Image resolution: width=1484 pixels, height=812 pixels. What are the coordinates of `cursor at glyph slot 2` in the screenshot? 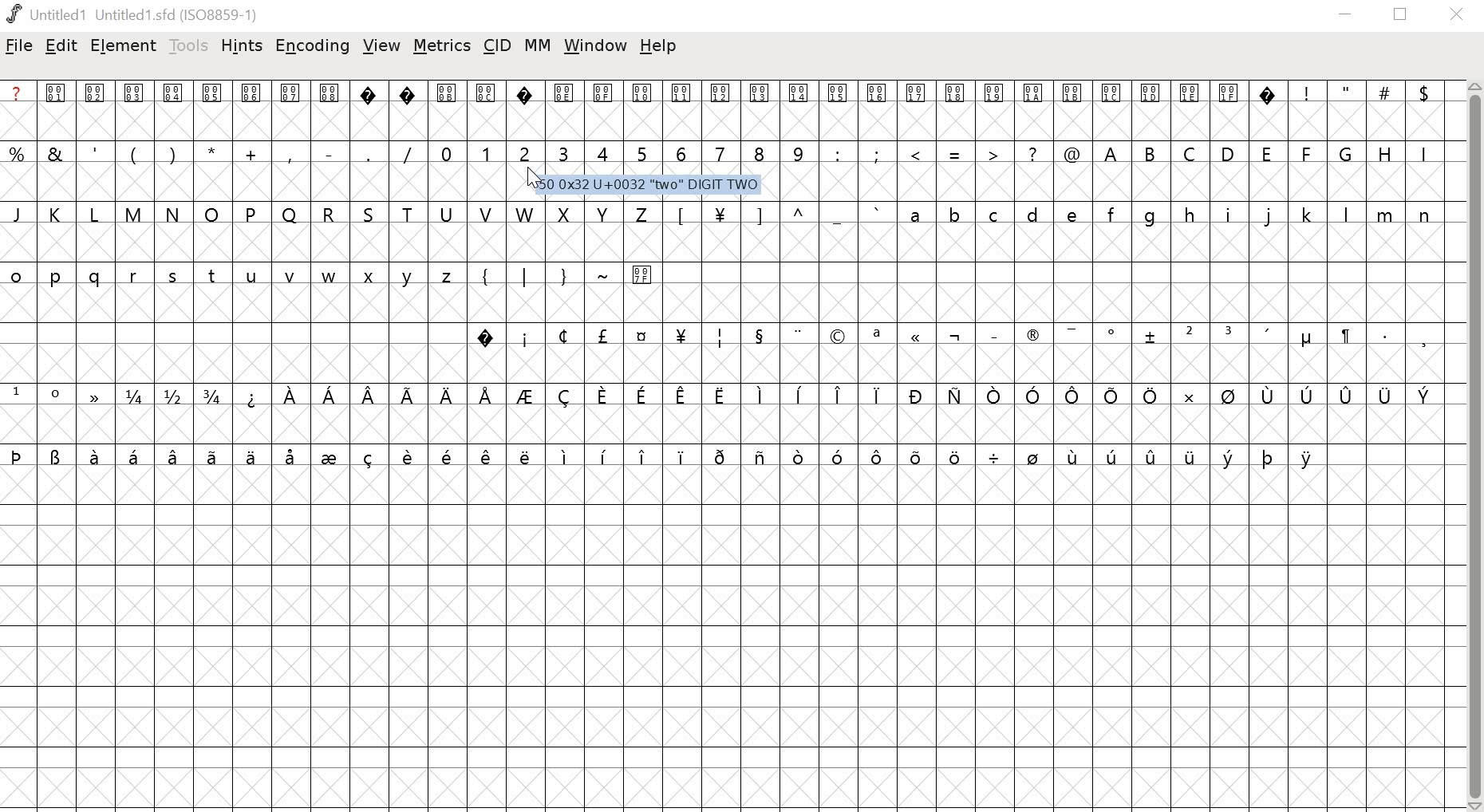 It's located at (529, 176).